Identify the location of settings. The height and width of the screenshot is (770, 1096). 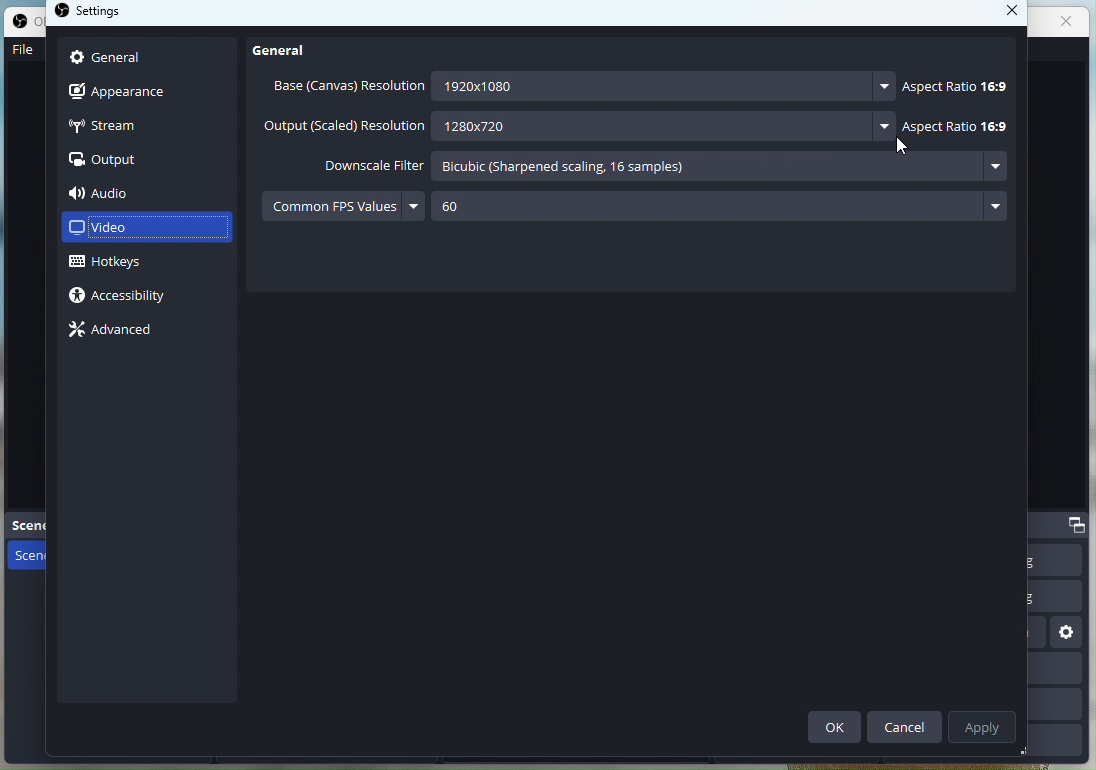
(1068, 635).